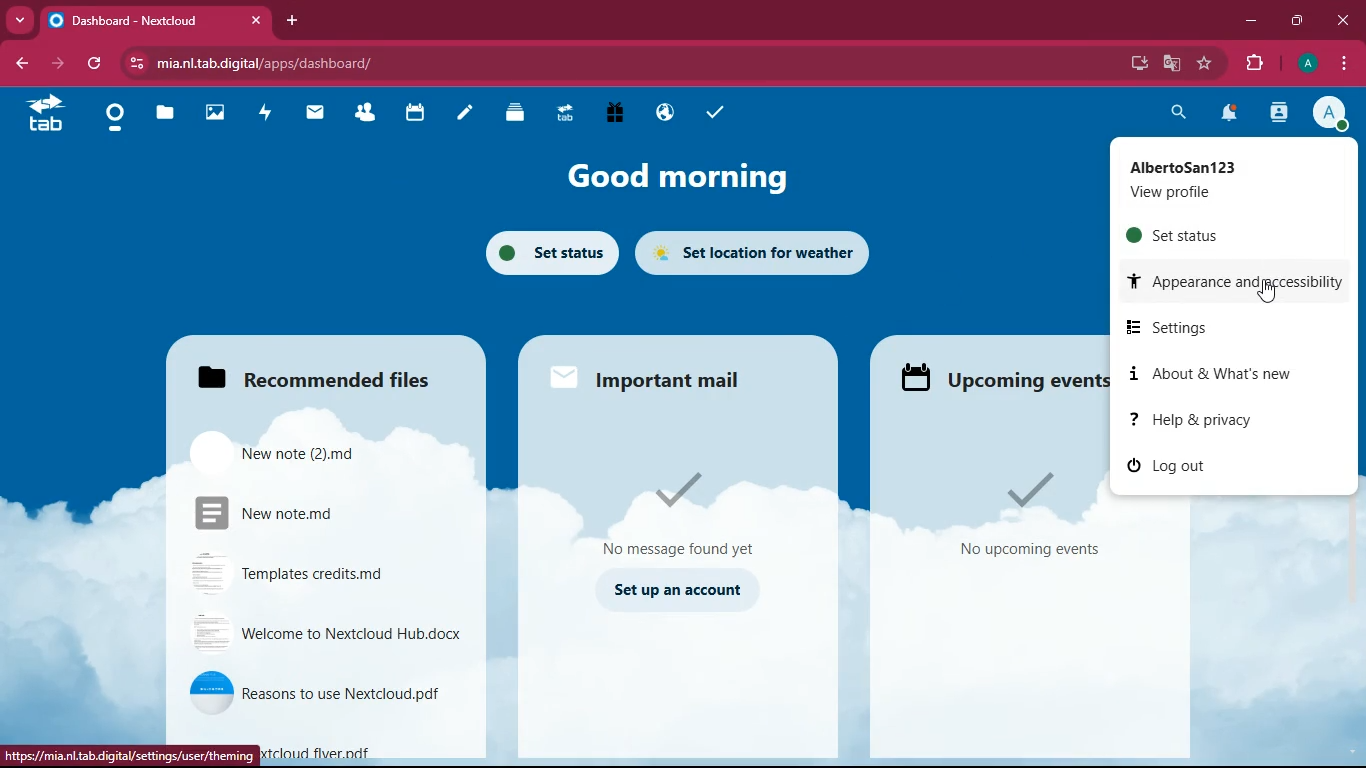  What do you see at coordinates (668, 114) in the screenshot?
I see `public` at bounding box center [668, 114].